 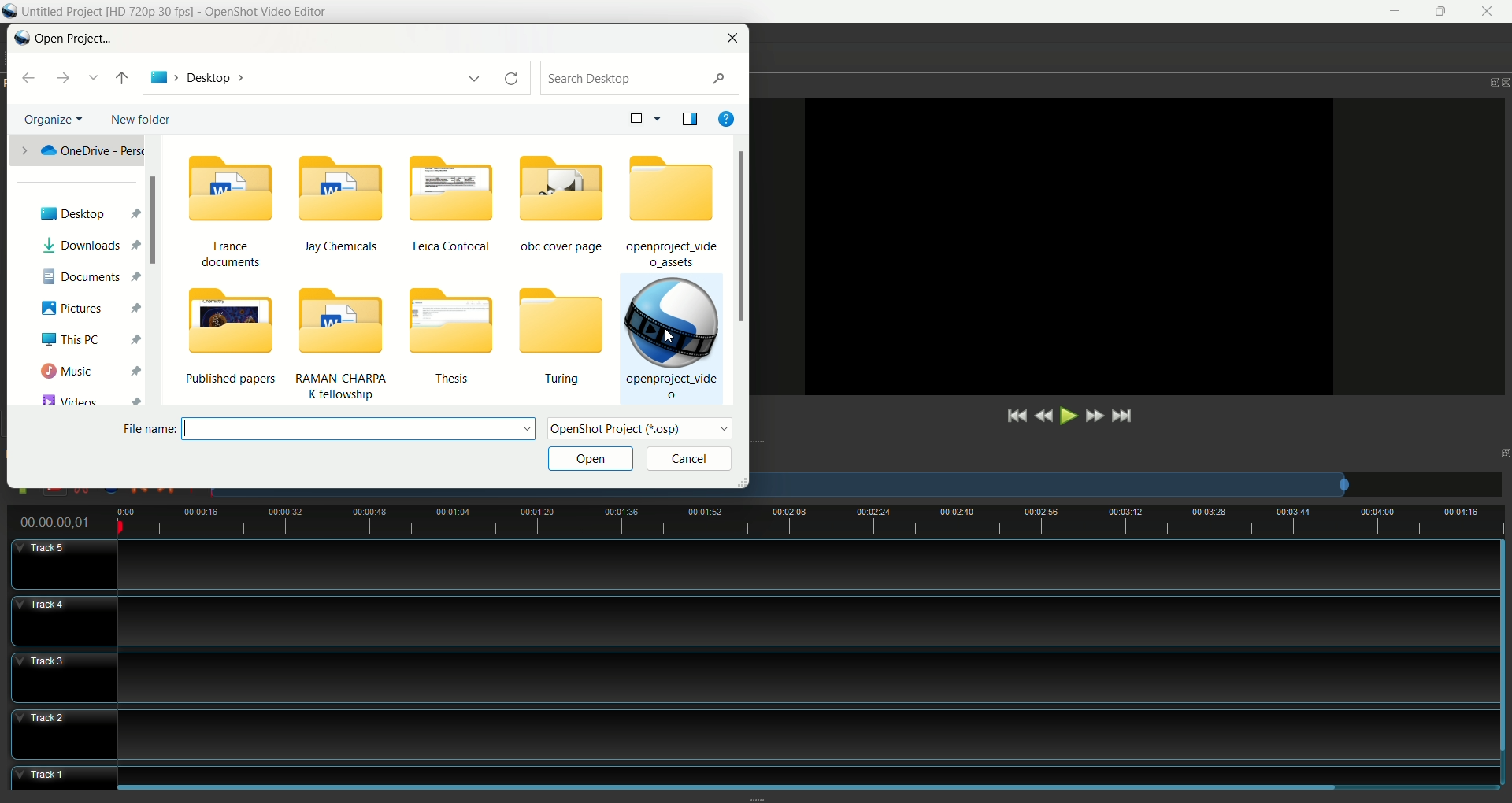 What do you see at coordinates (11, 12) in the screenshot?
I see `logo` at bounding box center [11, 12].